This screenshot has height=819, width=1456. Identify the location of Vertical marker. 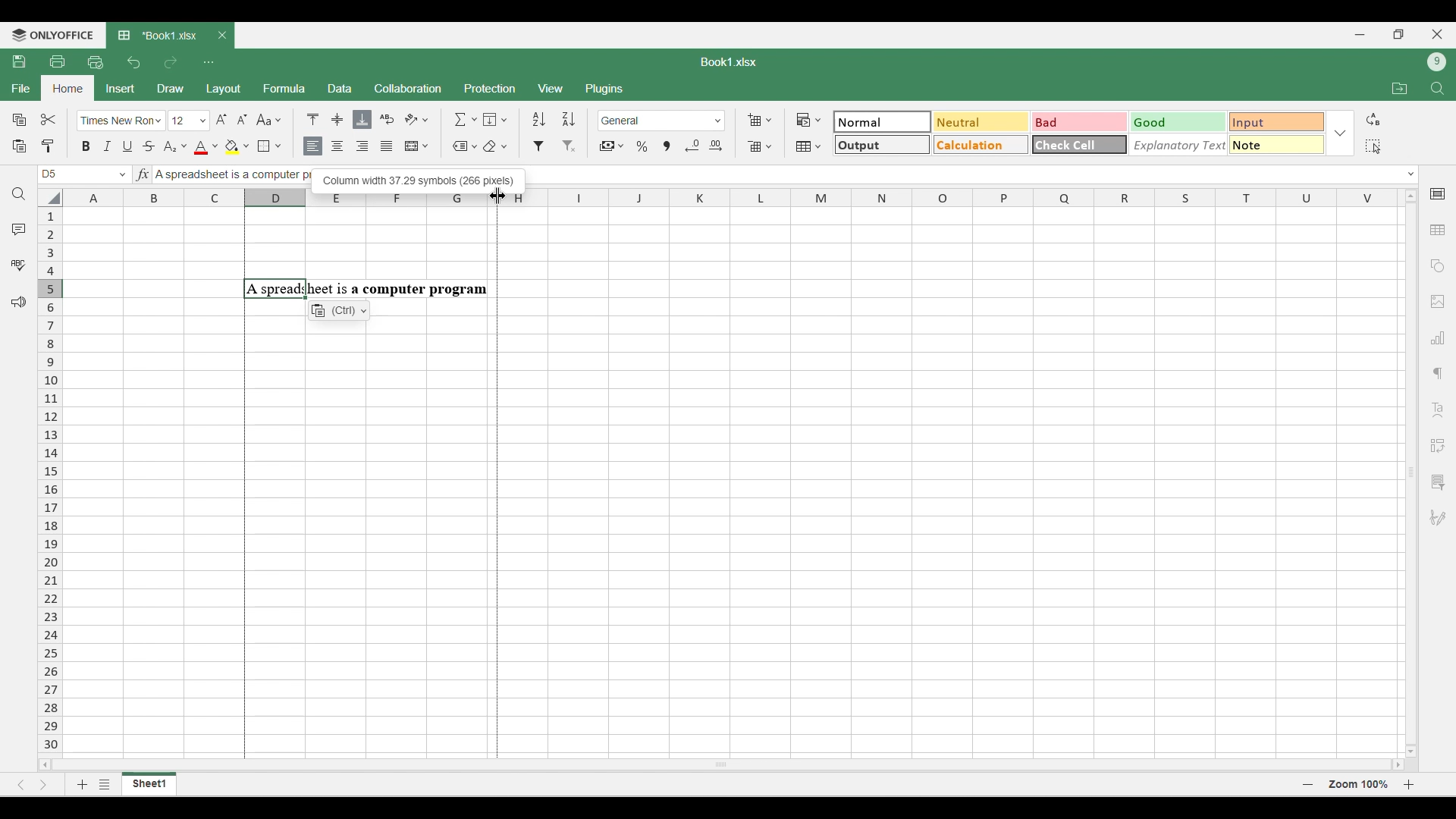
(51, 482).